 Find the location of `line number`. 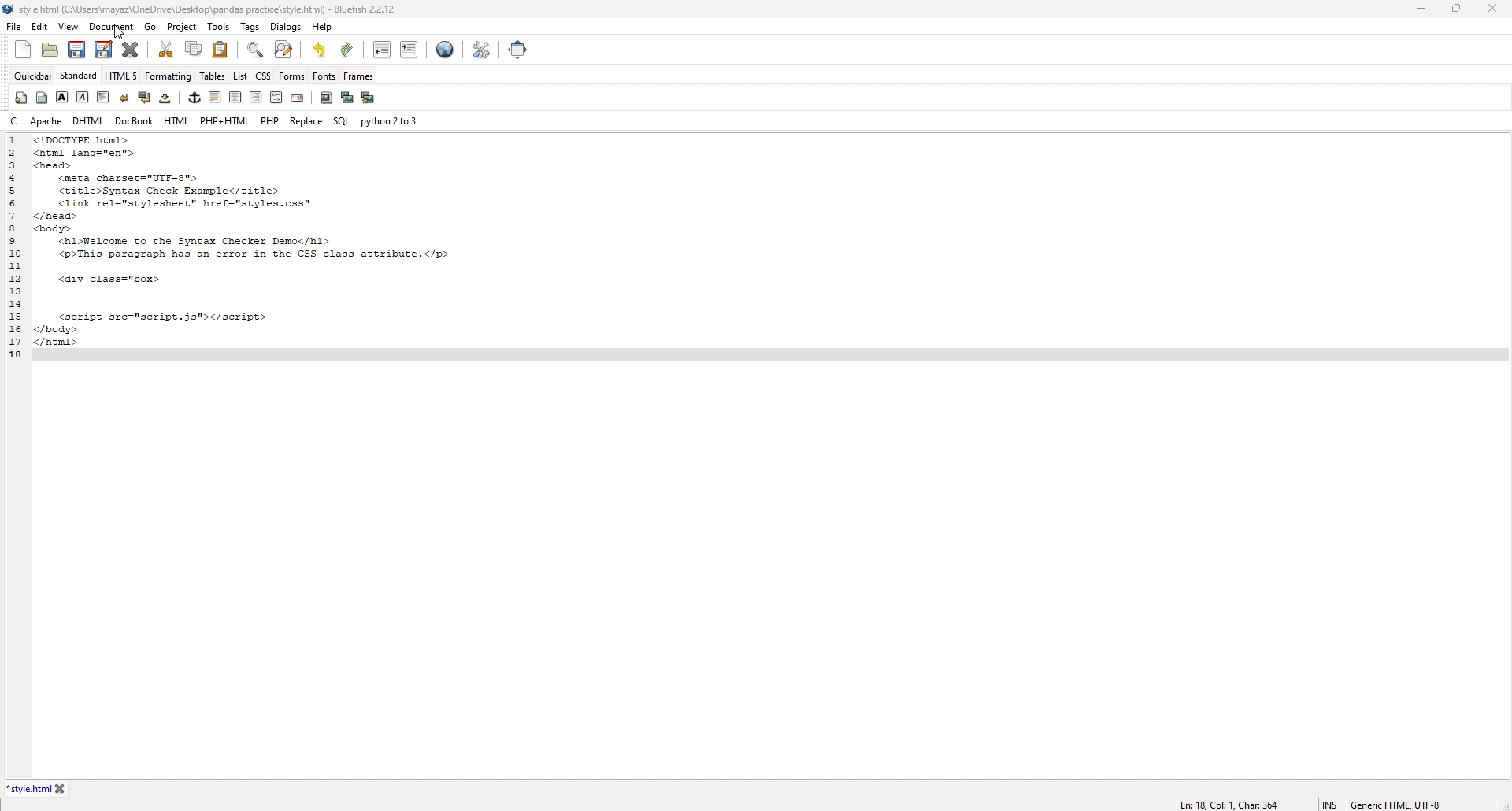

line number is located at coordinates (16, 246).